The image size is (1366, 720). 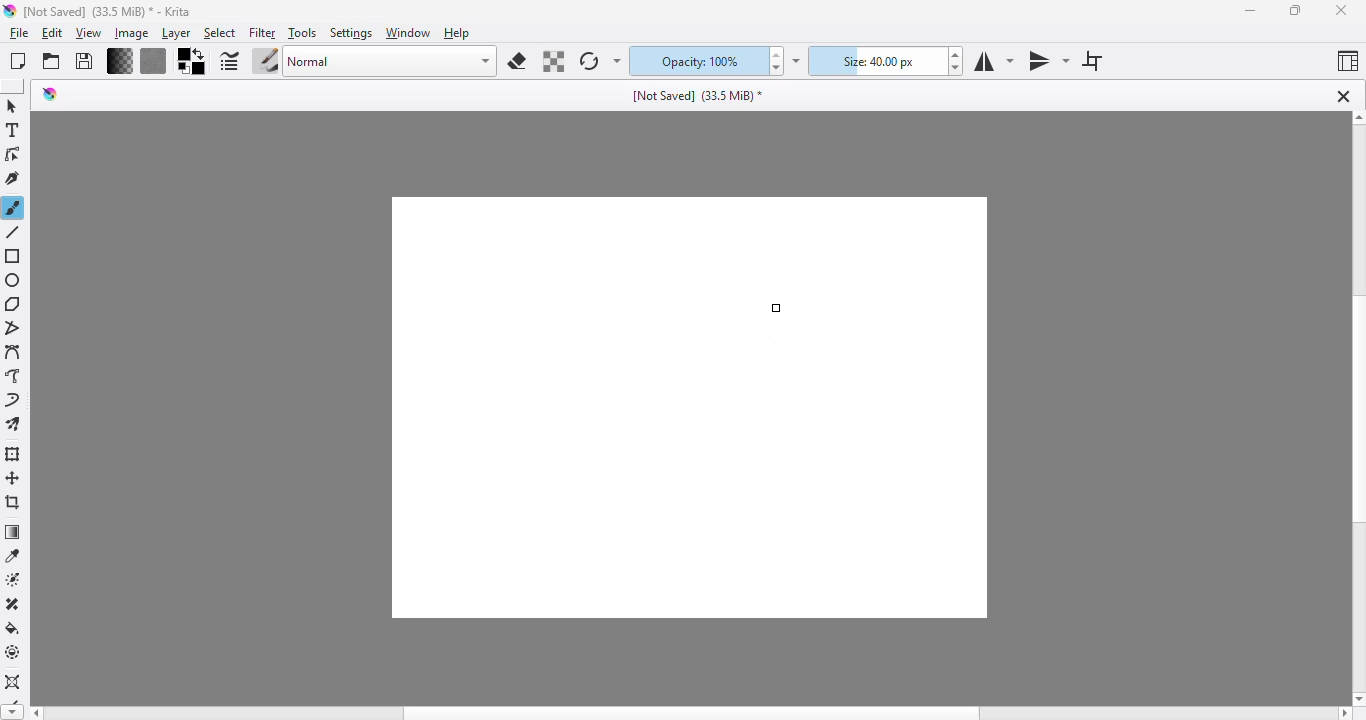 What do you see at coordinates (221, 33) in the screenshot?
I see `select` at bounding box center [221, 33].